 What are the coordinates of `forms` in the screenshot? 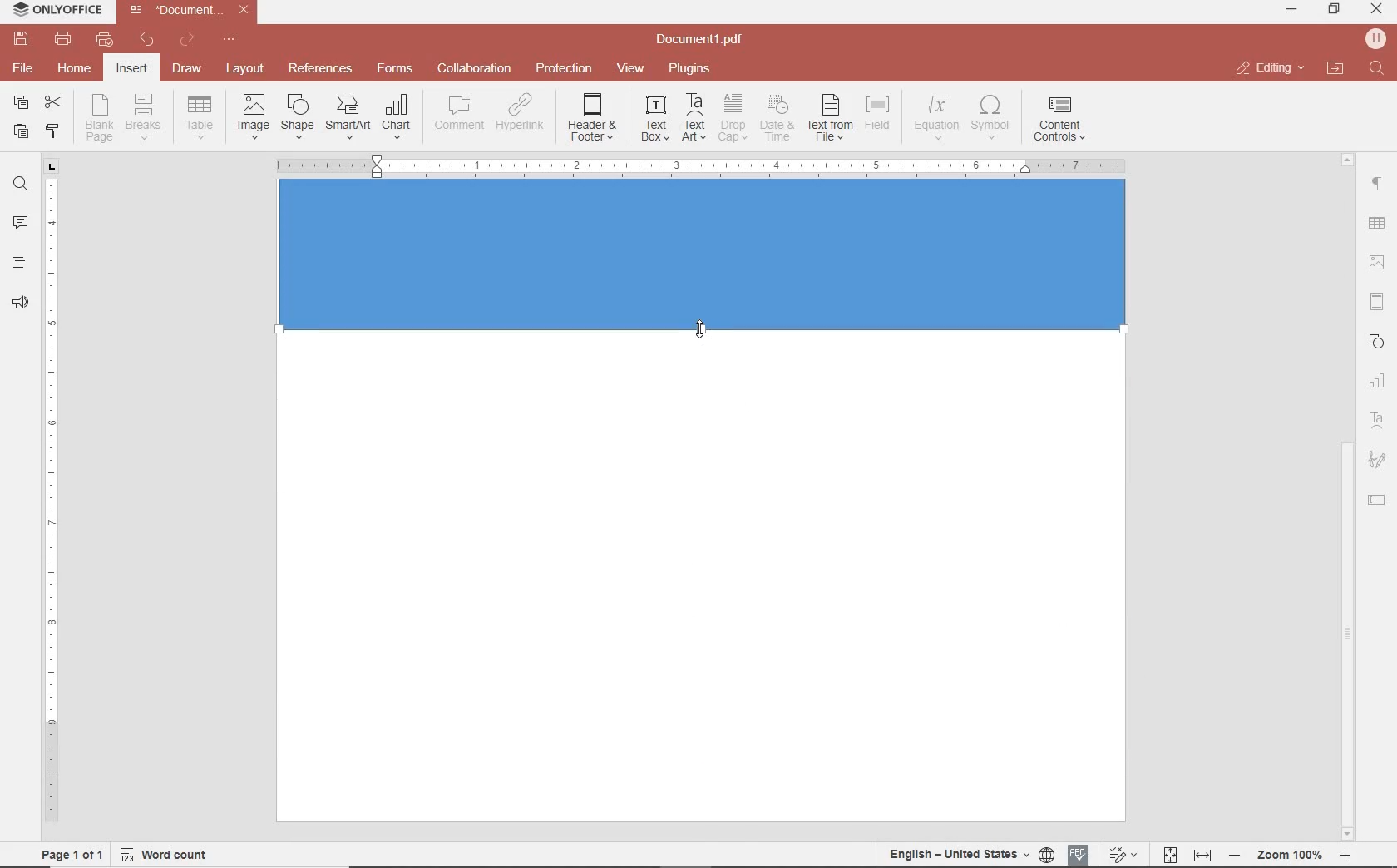 It's located at (395, 68).